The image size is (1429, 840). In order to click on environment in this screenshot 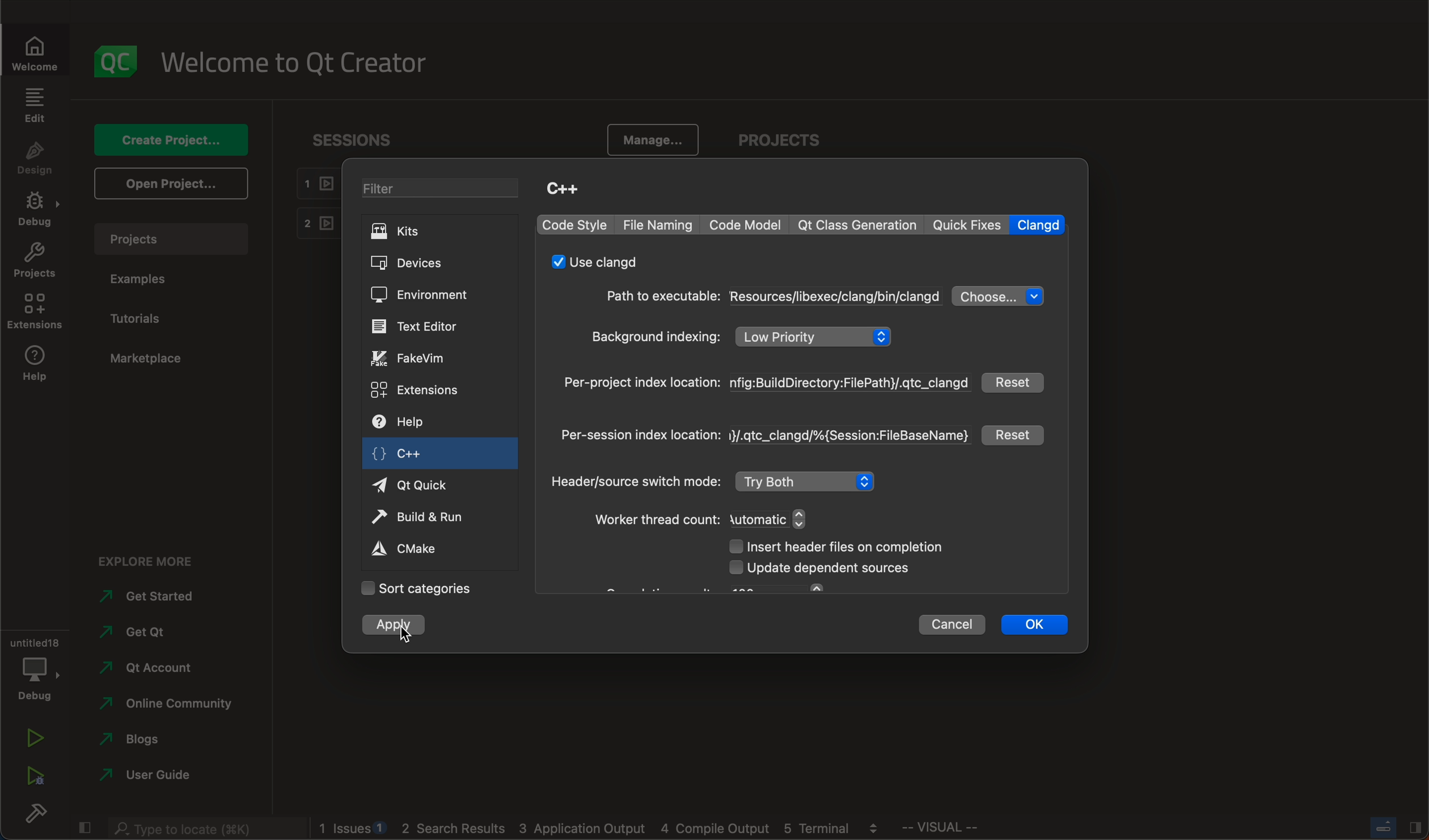, I will do `click(426, 295)`.